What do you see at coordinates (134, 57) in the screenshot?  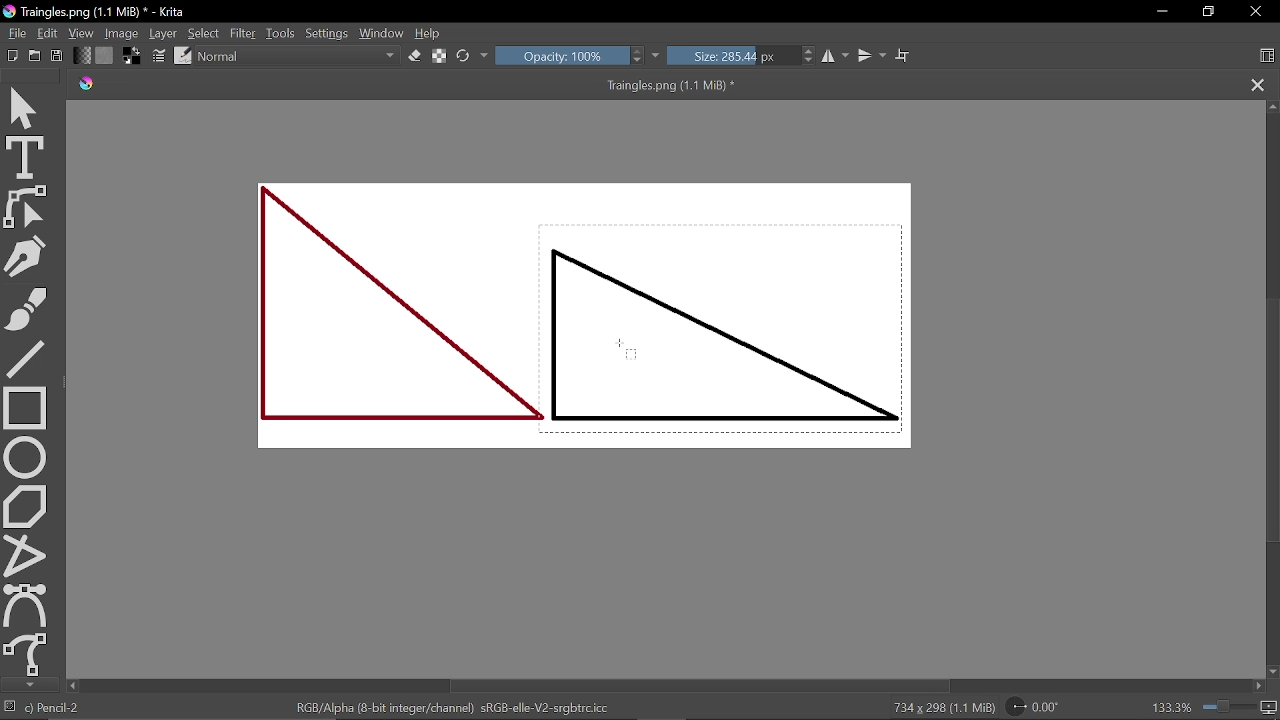 I see `Background color` at bounding box center [134, 57].